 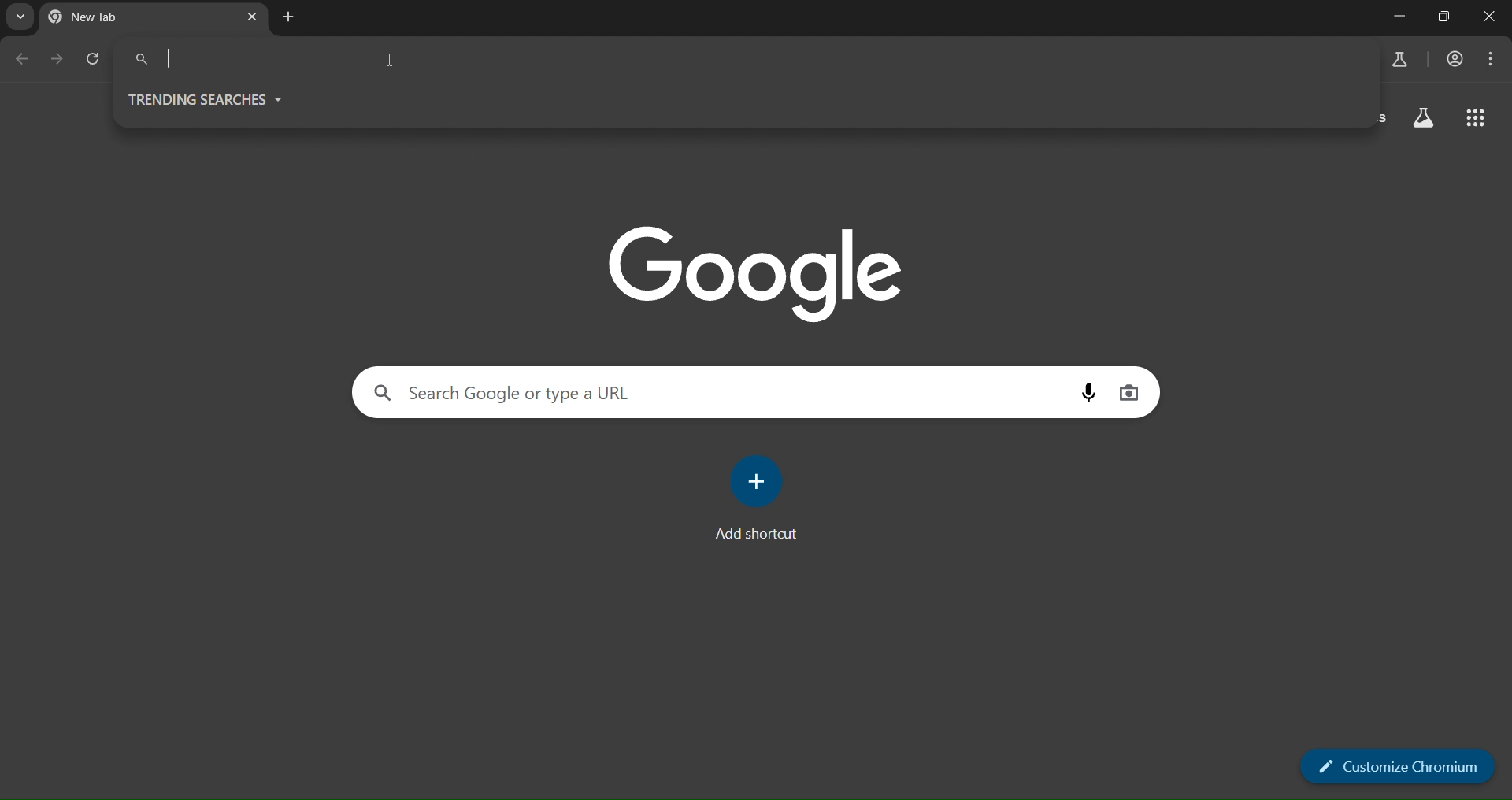 What do you see at coordinates (761, 270) in the screenshot?
I see `google` at bounding box center [761, 270].